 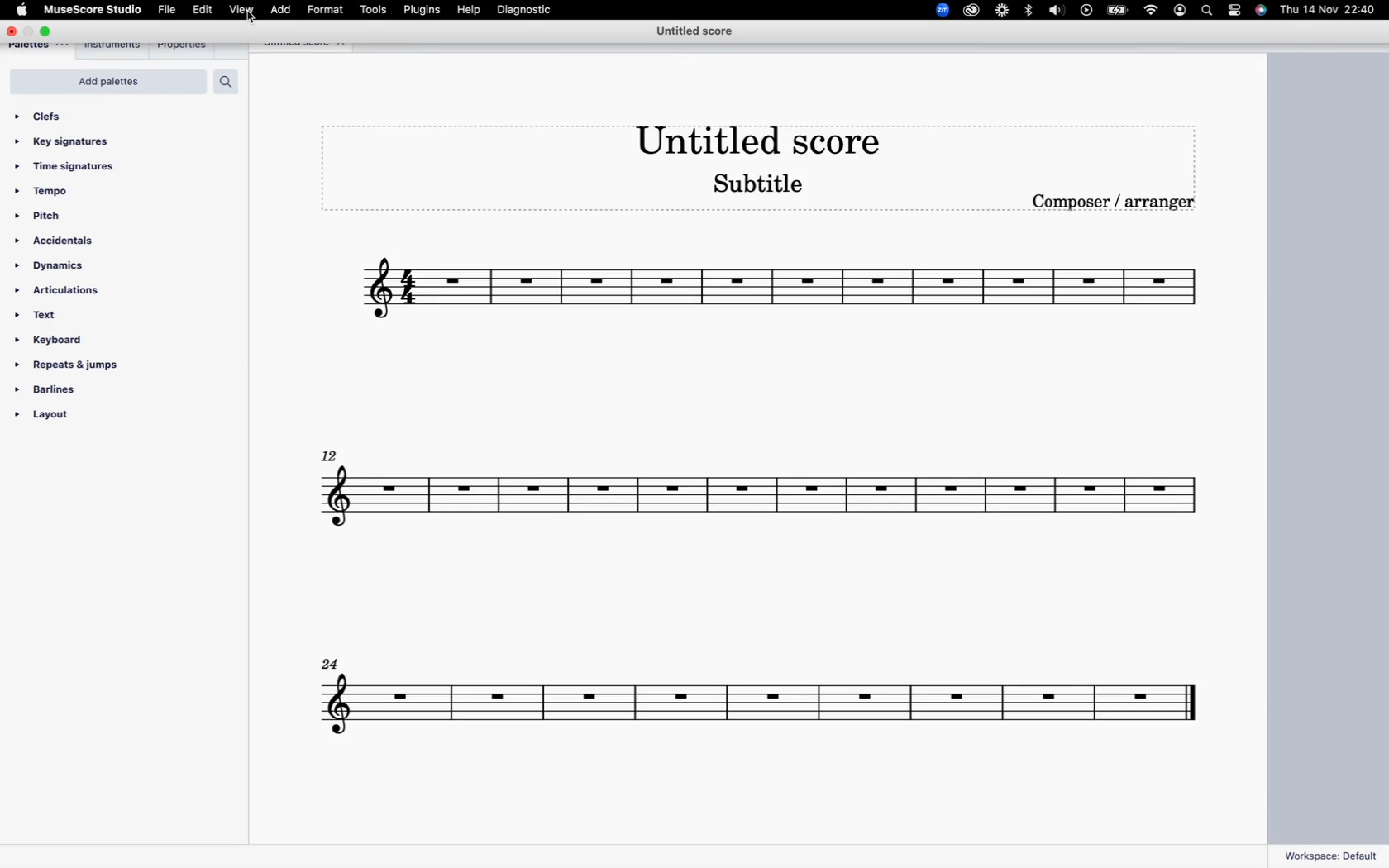 I want to click on palettes, so click(x=41, y=48).